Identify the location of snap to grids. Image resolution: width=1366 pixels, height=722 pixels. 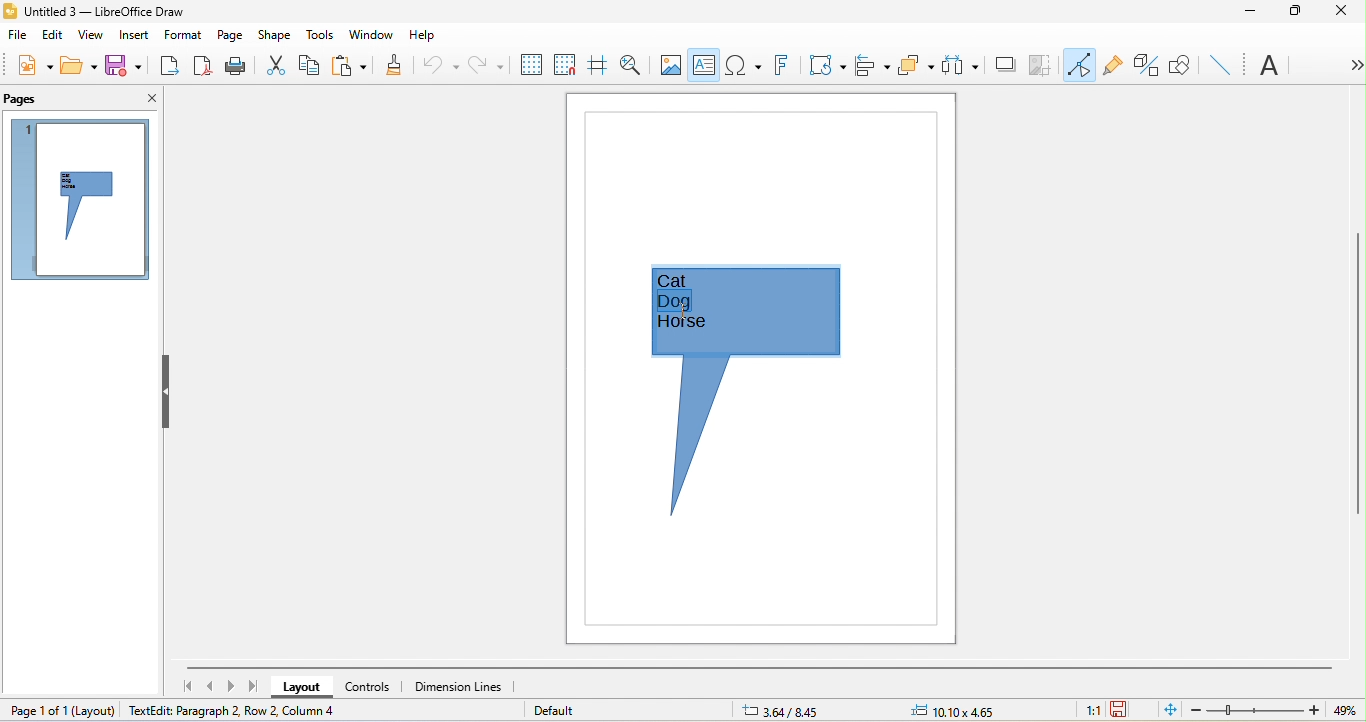
(563, 67).